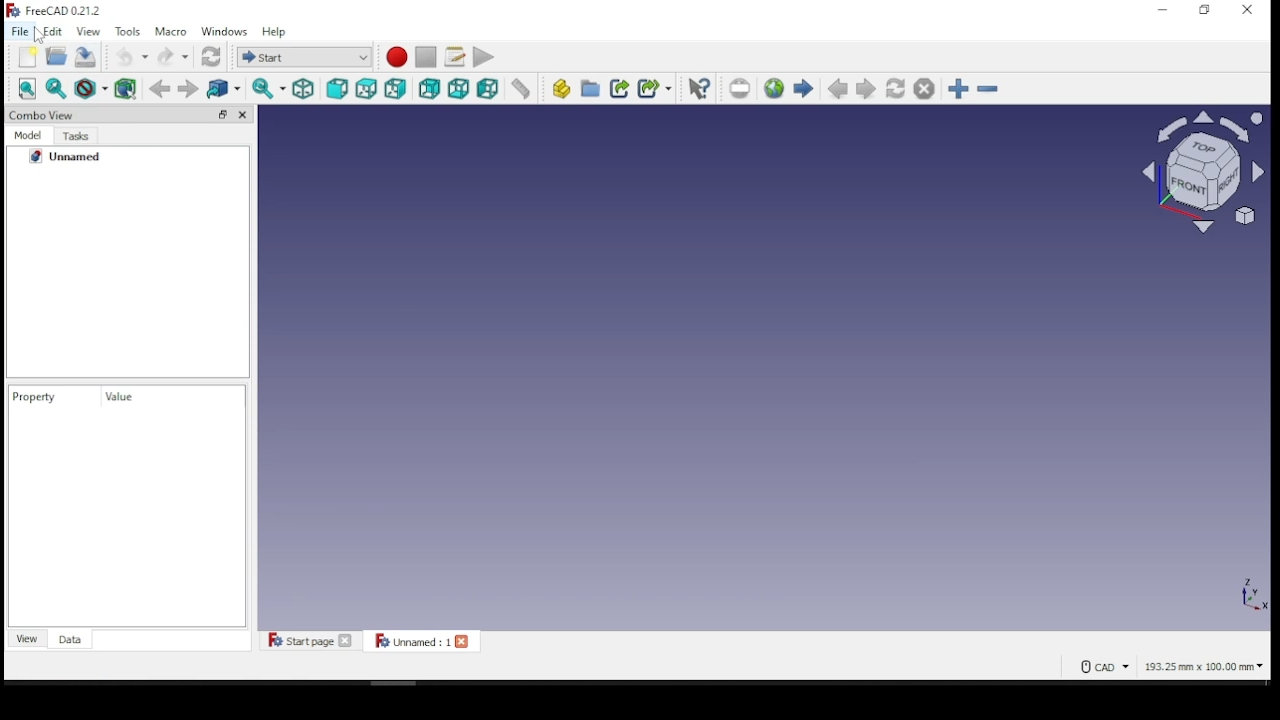 The image size is (1280, 720). I want to click on new, so click(26, 57).